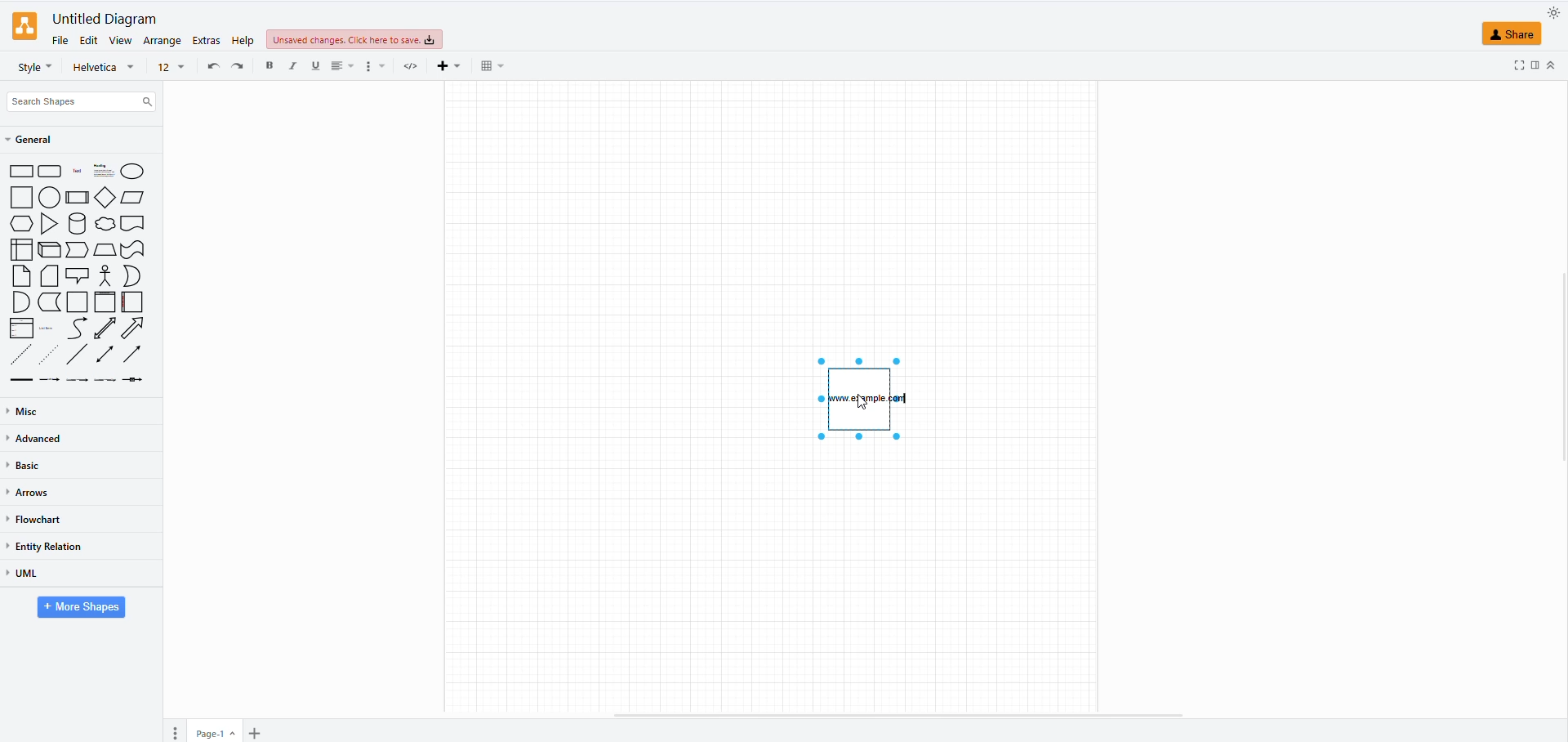 The height and width of the screenshot is (742, 1568). I want to click on dashed line, so click(22, 354).